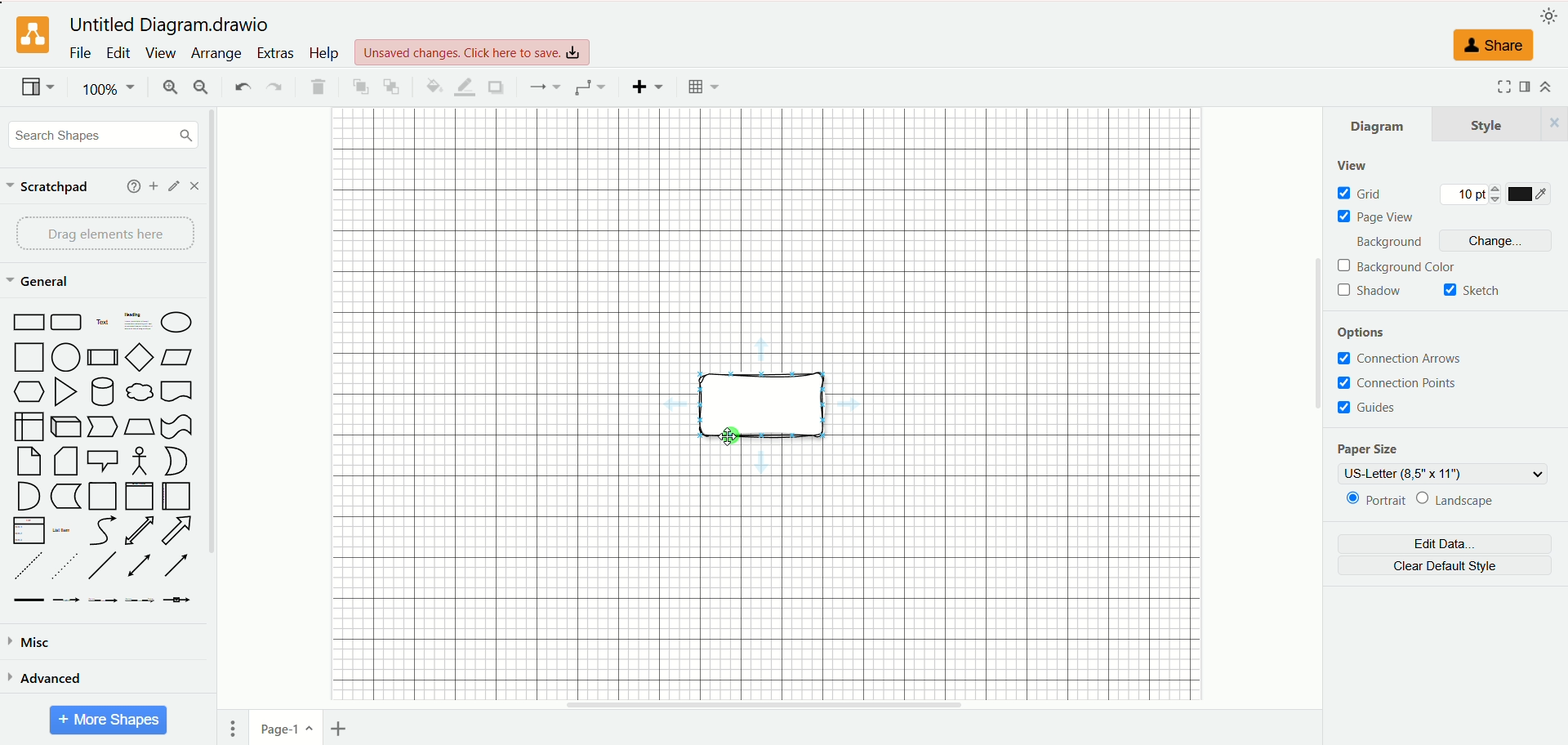 This screenshot has width=1568, height=745. What do you see at coordinates (1445, 473) in the screenshot?
I see `US-letter` at bounding box center [1445, 473].